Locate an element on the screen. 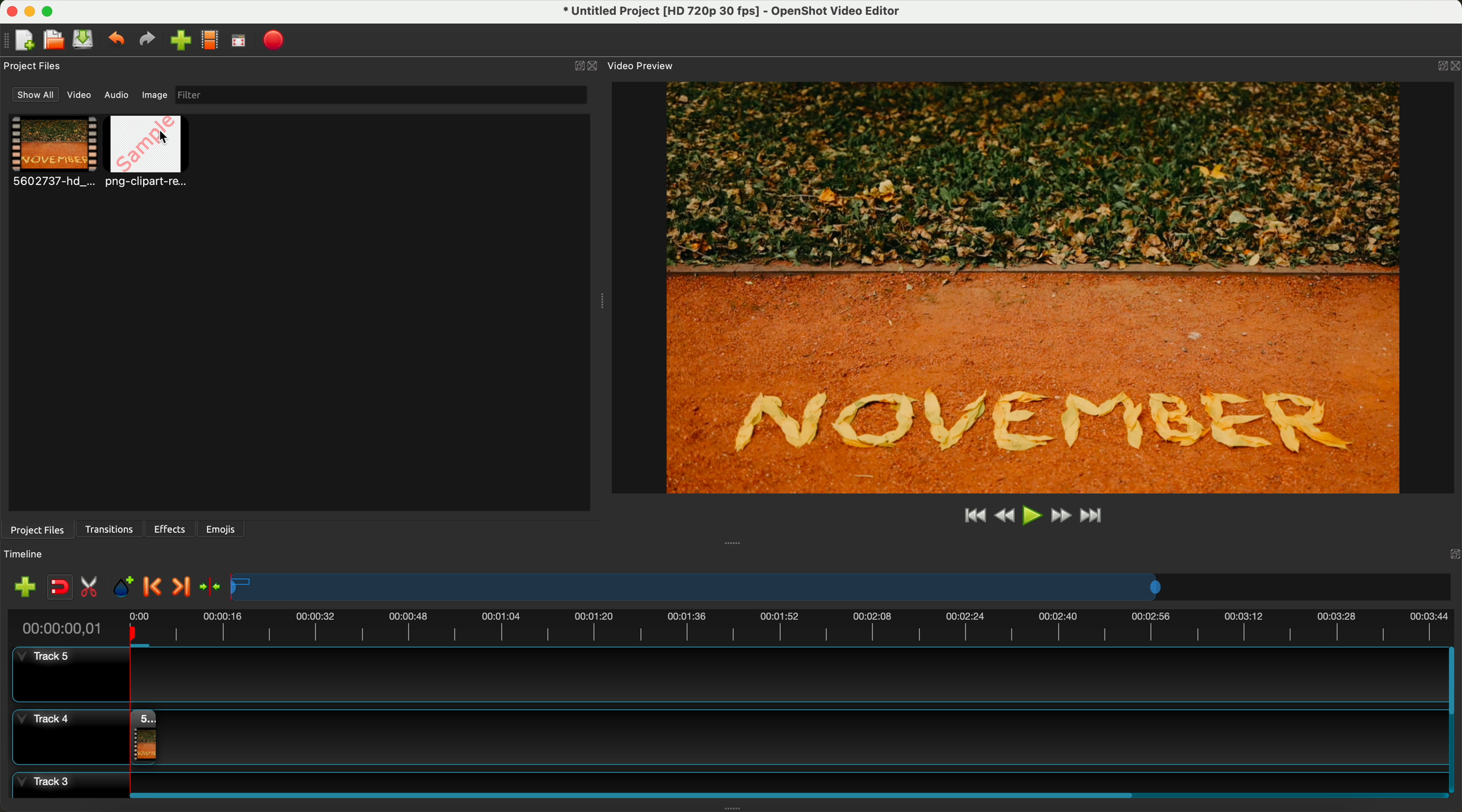 This screenshot has height=812, width=1462. center the timeline on the playhead is located at coordinates (209, 586).